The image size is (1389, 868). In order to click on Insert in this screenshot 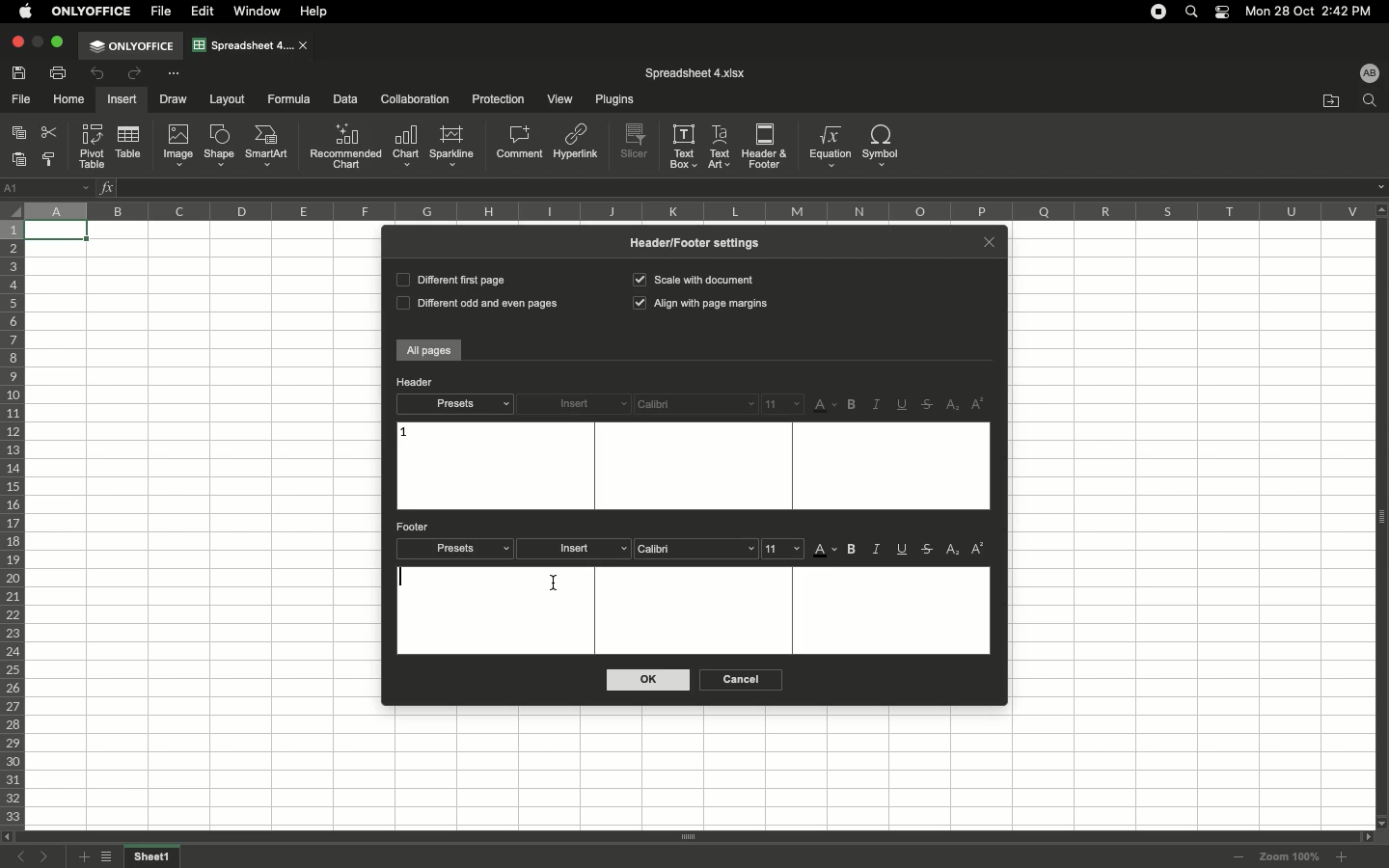, I will do `click(121, 99)`.